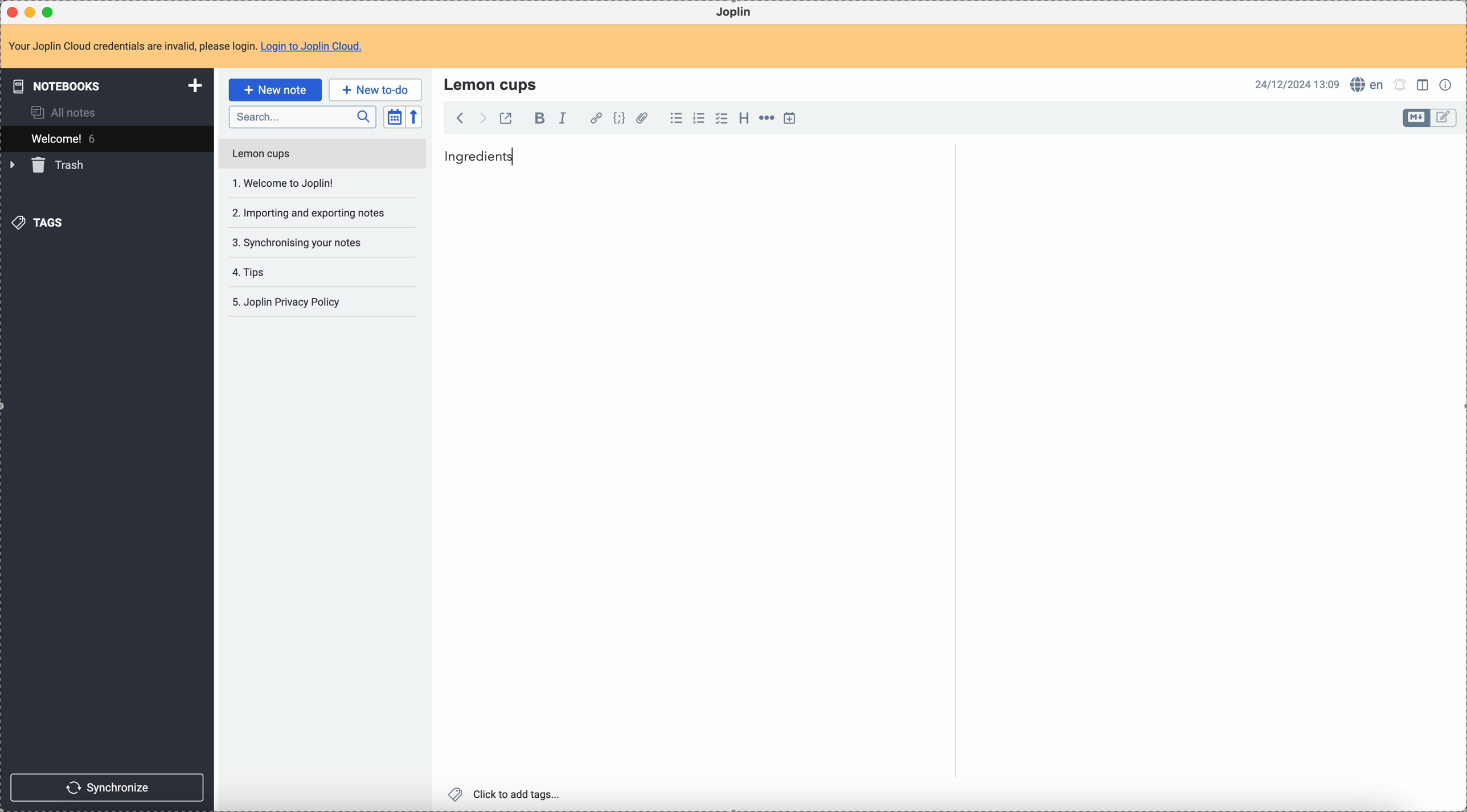  Describe the element at coordinates (14, 13) in the screenshot. I see `close` at that location.